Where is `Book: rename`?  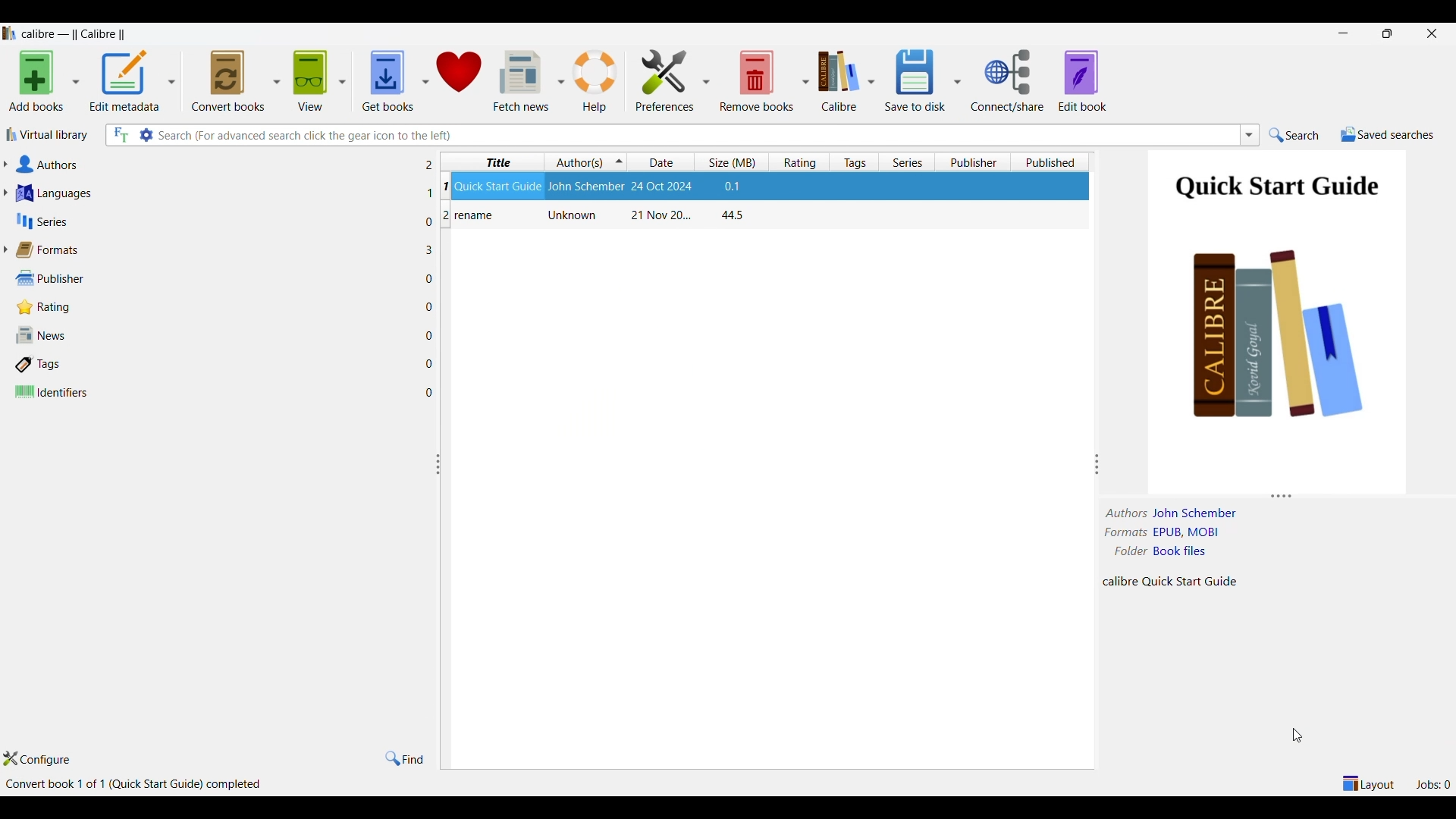 Book: rename is located at coordinates (598, 216).